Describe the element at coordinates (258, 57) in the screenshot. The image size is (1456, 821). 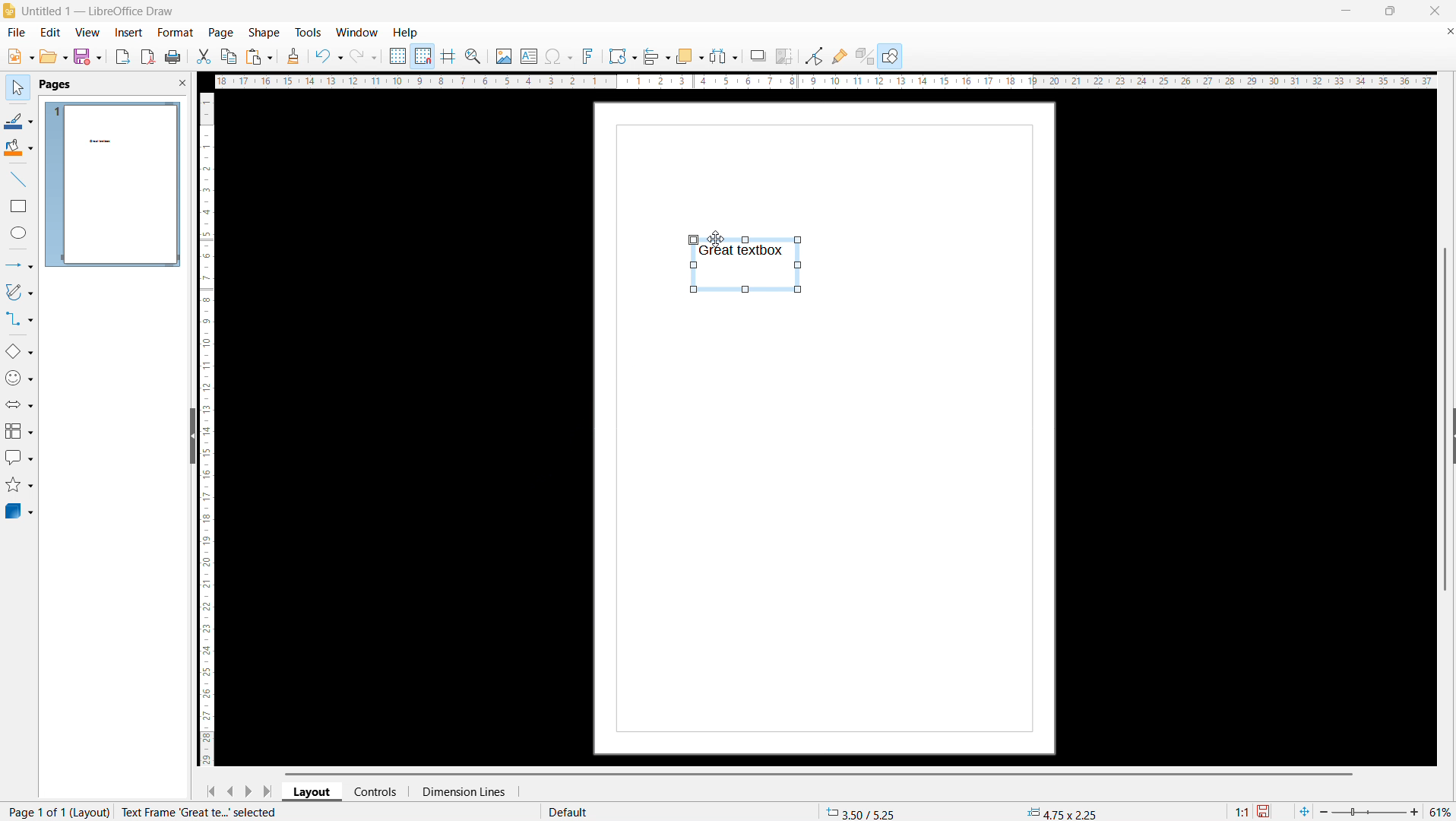
I see `paste` at that location.